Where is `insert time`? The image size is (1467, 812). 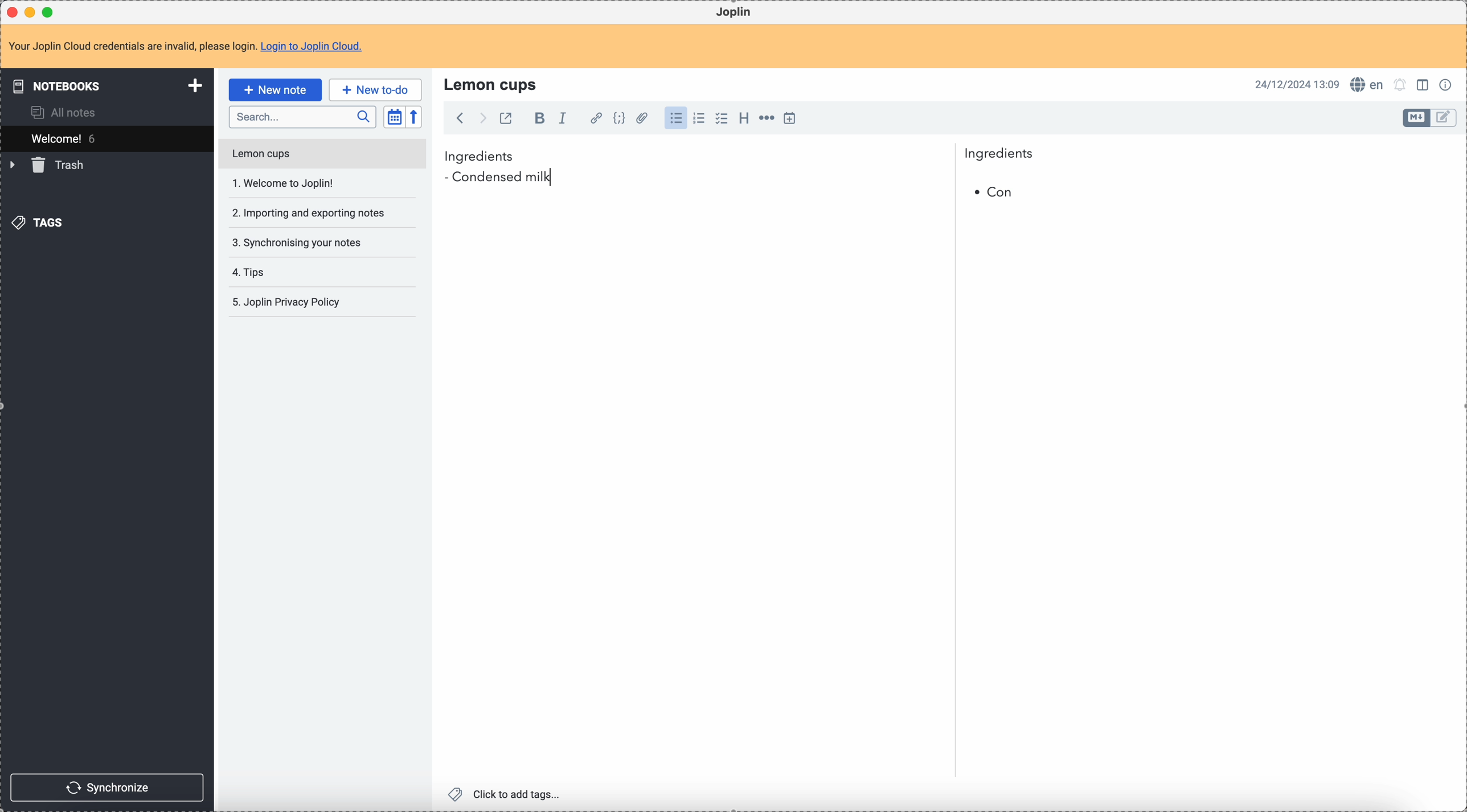 insert time is located at coordinates (789, 118).